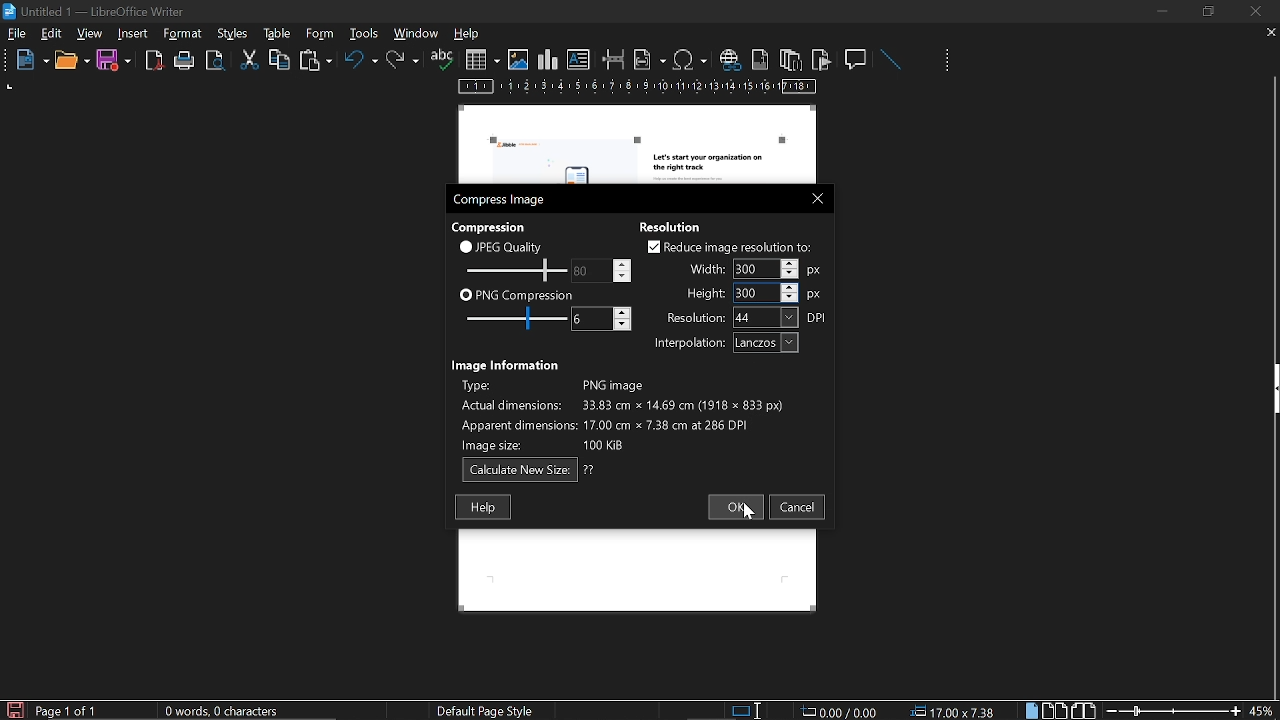  I want to click on current zoom, so click(1263, 710).